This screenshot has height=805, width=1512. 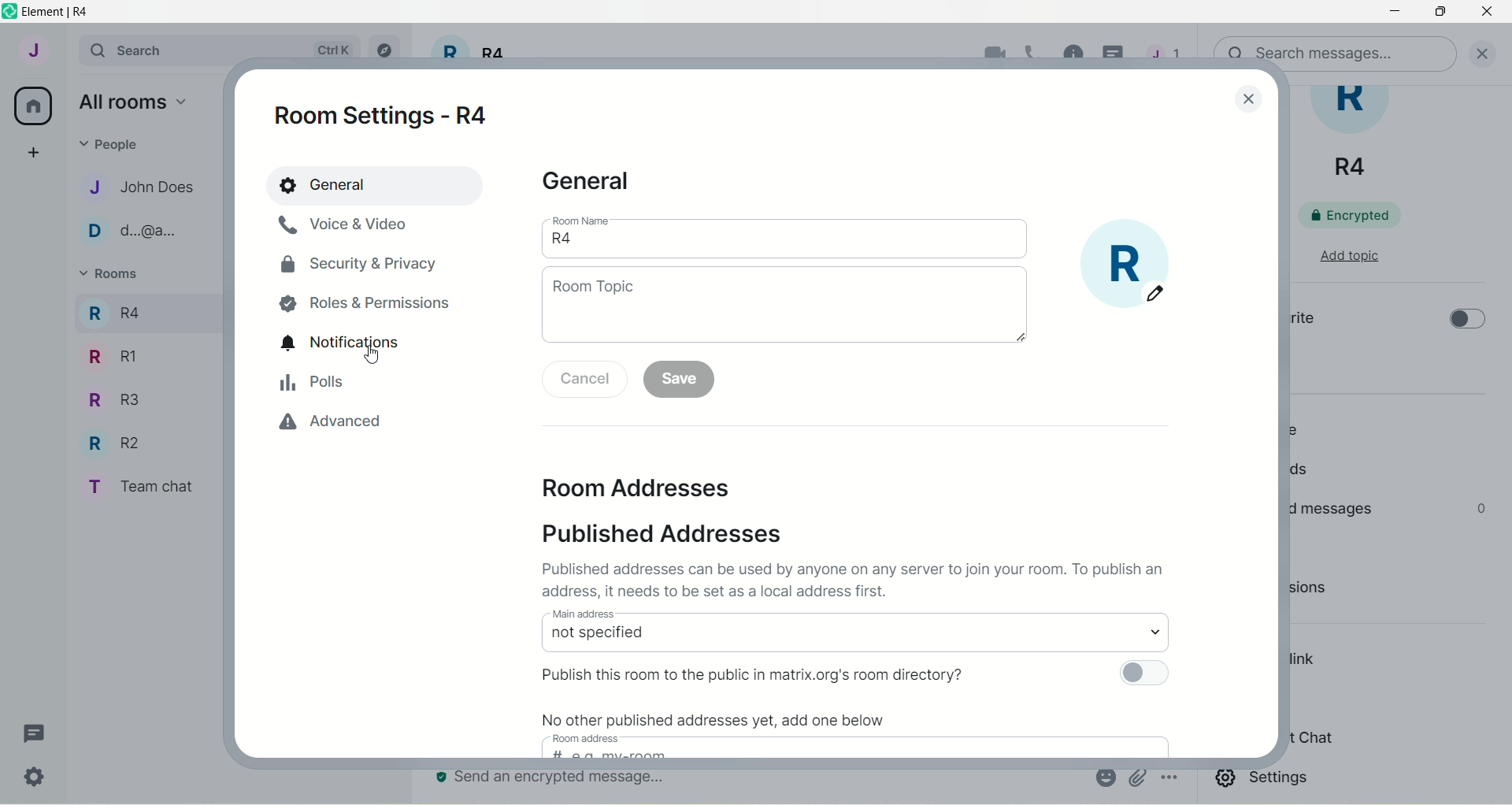 I want to click on options, so click(x=1172, y=779).